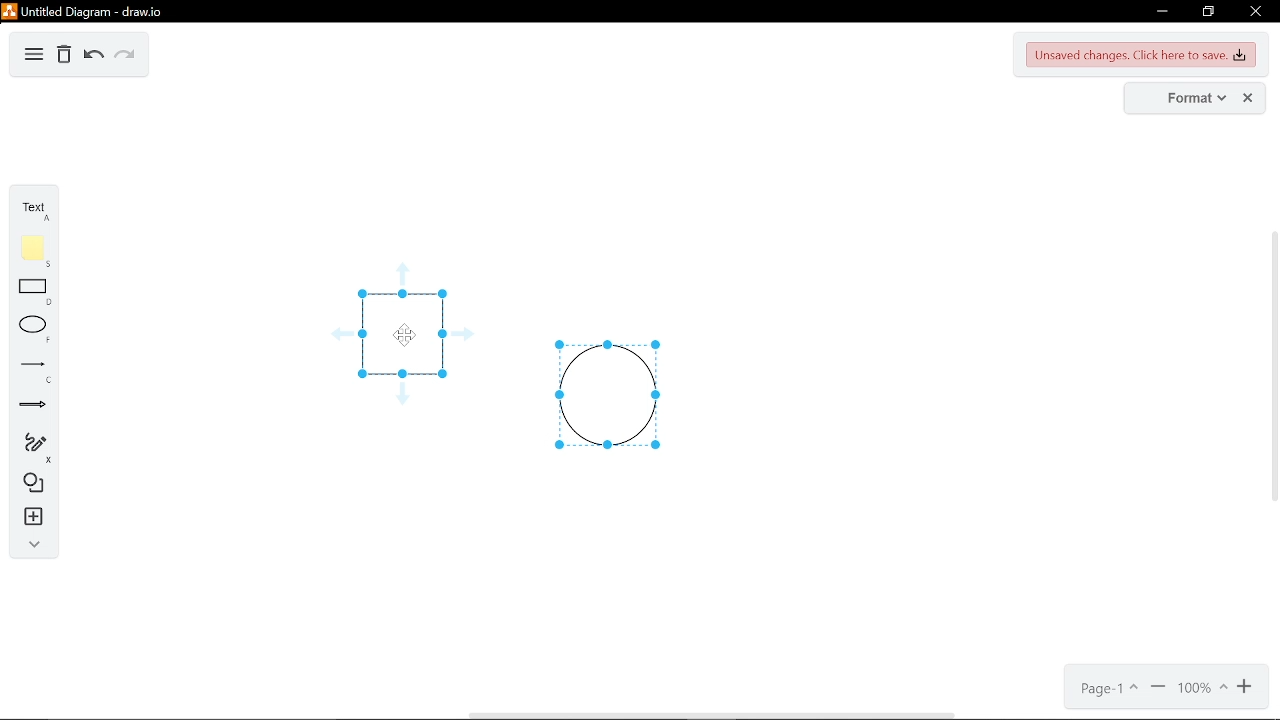 This screenshot has height=720, width=1280. Describe the element at coordinates (1248, 98) in the screenshot. I see `close` at that location.